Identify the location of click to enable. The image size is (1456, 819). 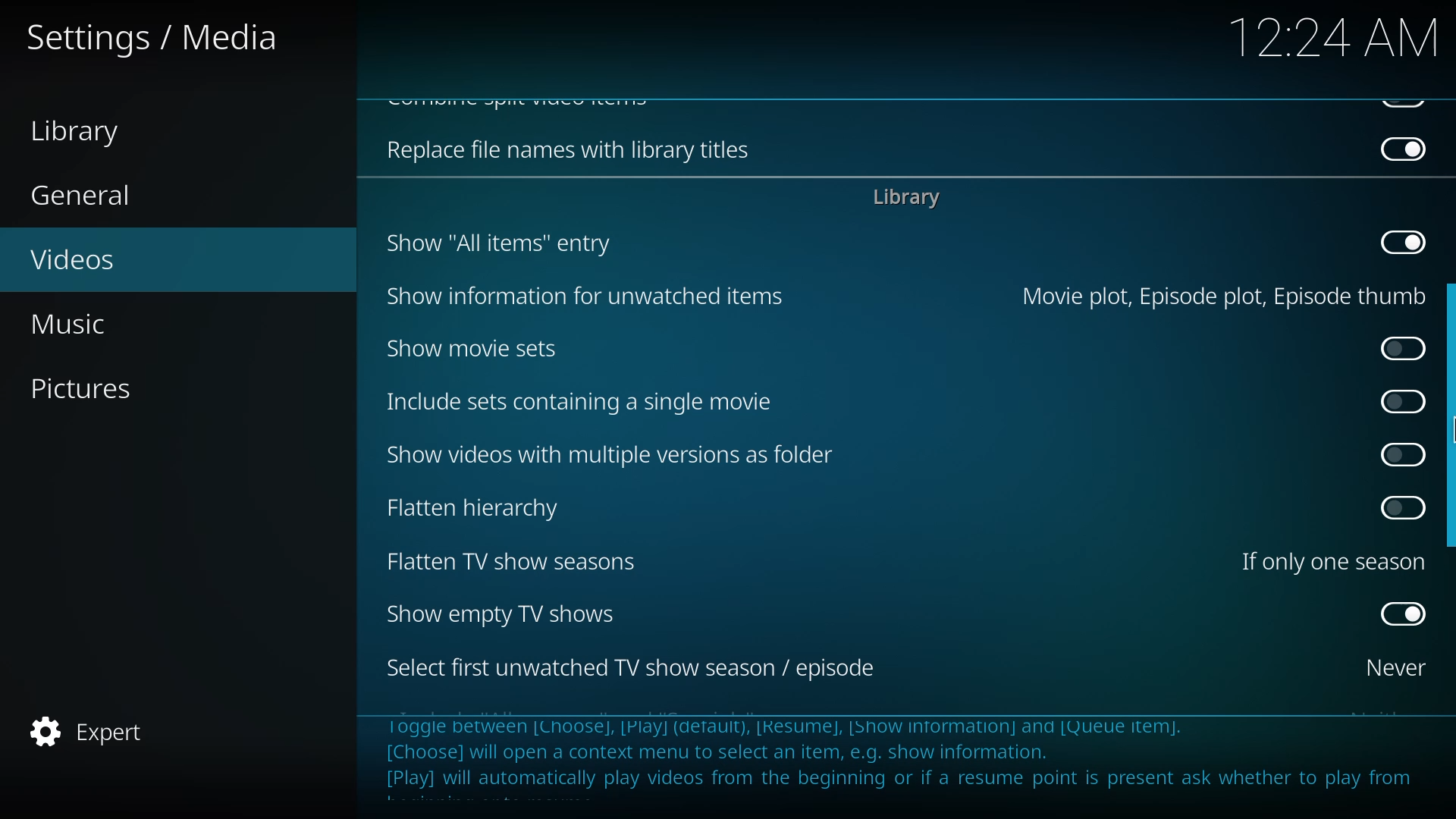
(1398, 451).